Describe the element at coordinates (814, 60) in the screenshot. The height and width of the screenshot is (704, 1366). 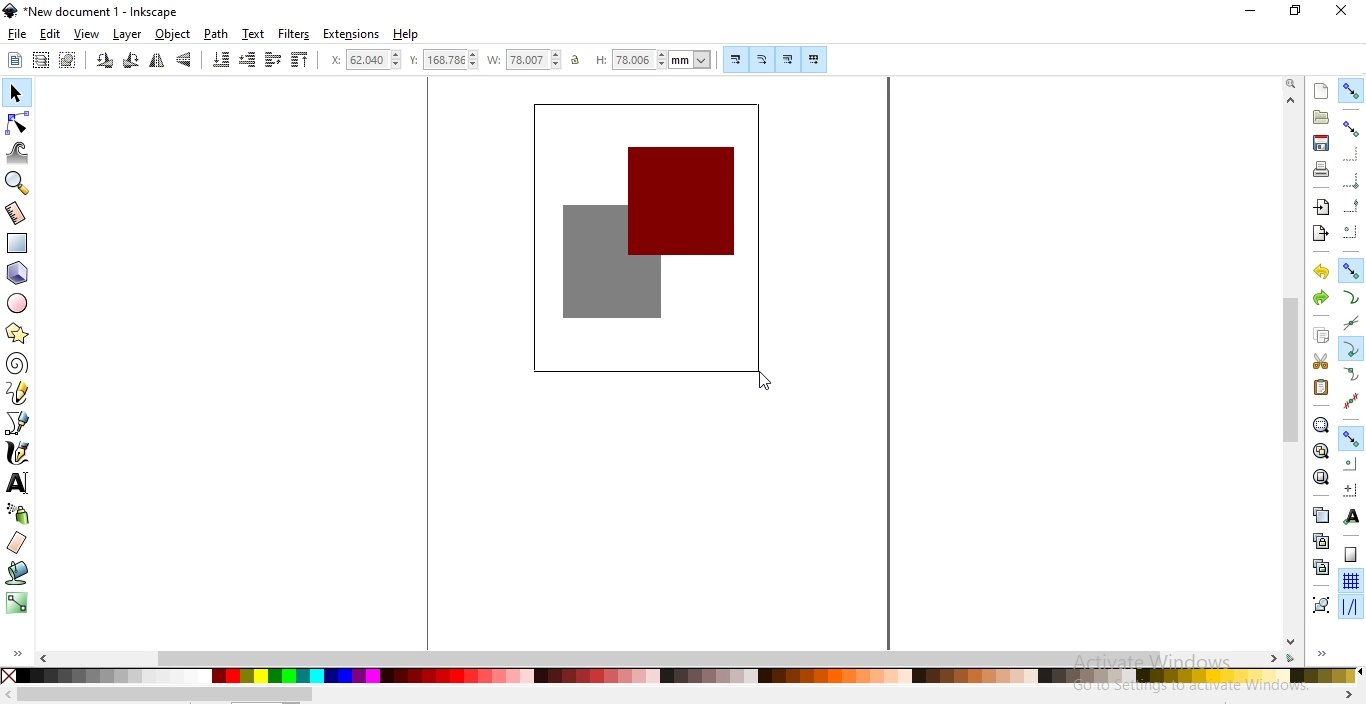
I see `move patterns along with object` at that location.